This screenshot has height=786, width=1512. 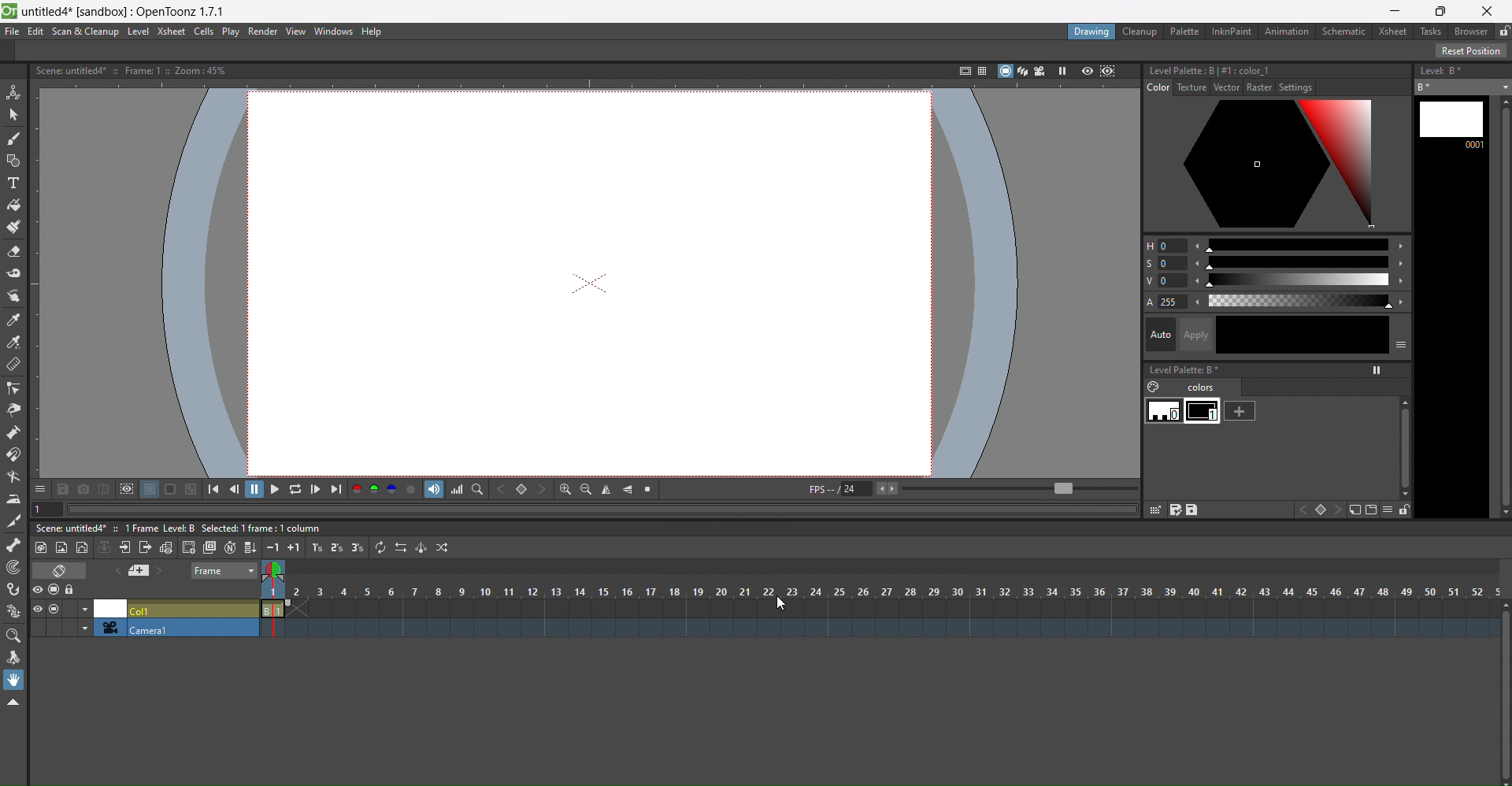 What do you see at coordinates (1320, 510) in the screenshot?
I see `set key` at bounding box center [1320, 510].